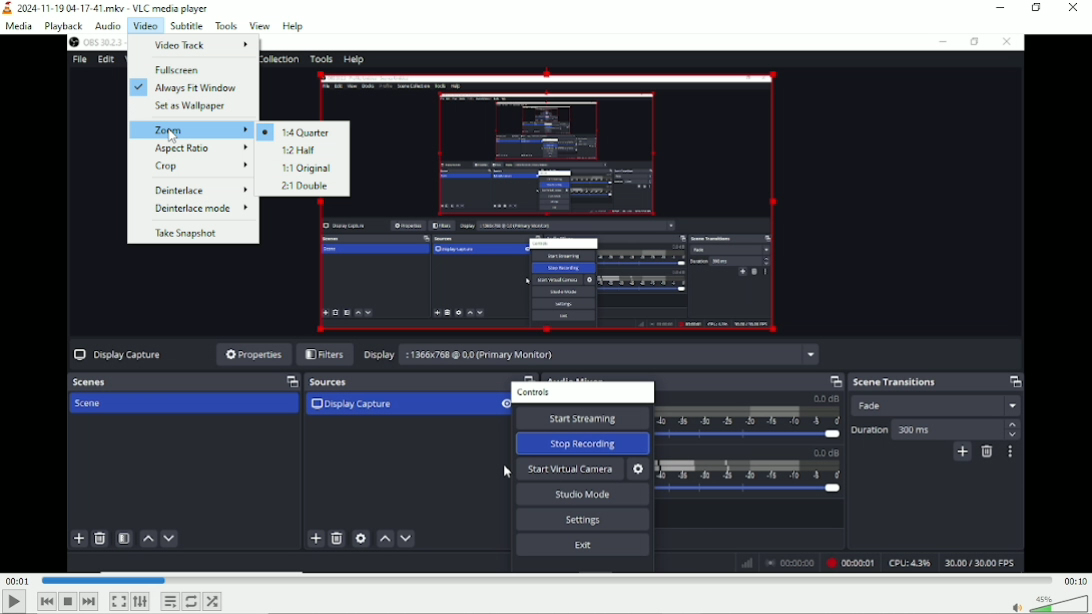  What do you see at coordinates (296, 131) in the screenshot?
I see `quarter` at bounding box center [296, 131].